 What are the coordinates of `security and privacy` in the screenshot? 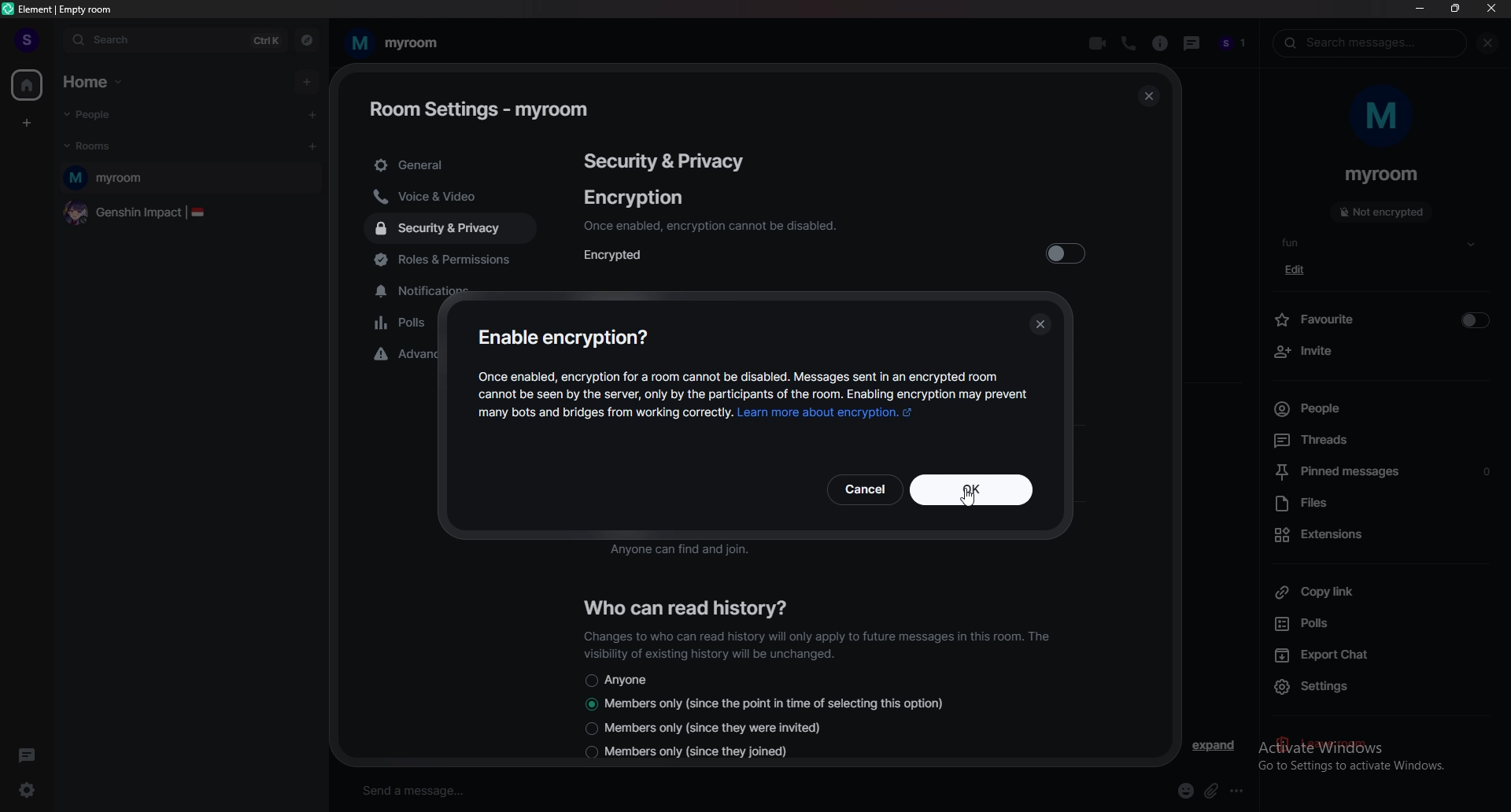 It's located at (450, 229).